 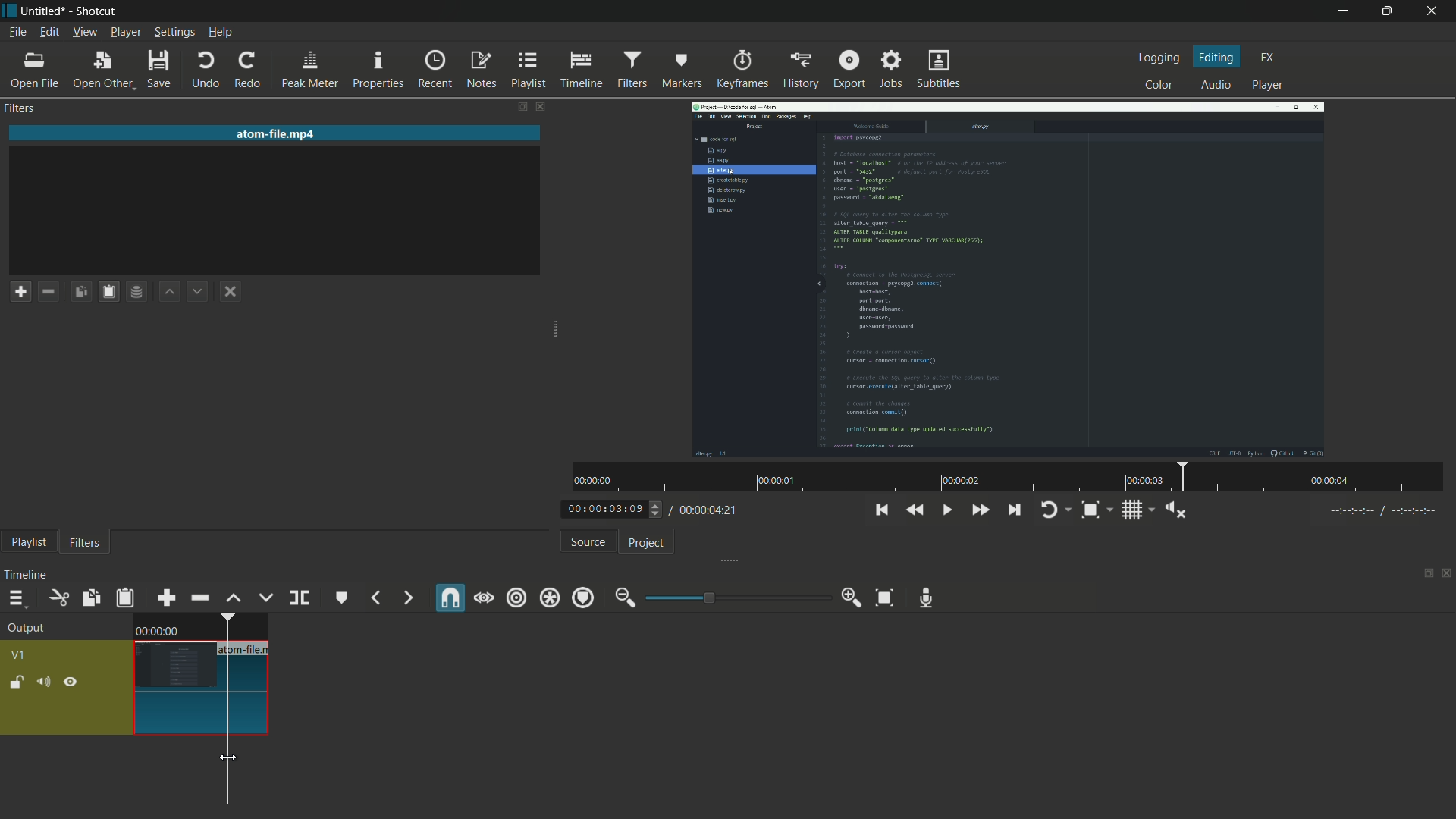 What do you see at coordinates (221, 33) in the screenshot?
I see `help menu` at bounding box center [221, 33].